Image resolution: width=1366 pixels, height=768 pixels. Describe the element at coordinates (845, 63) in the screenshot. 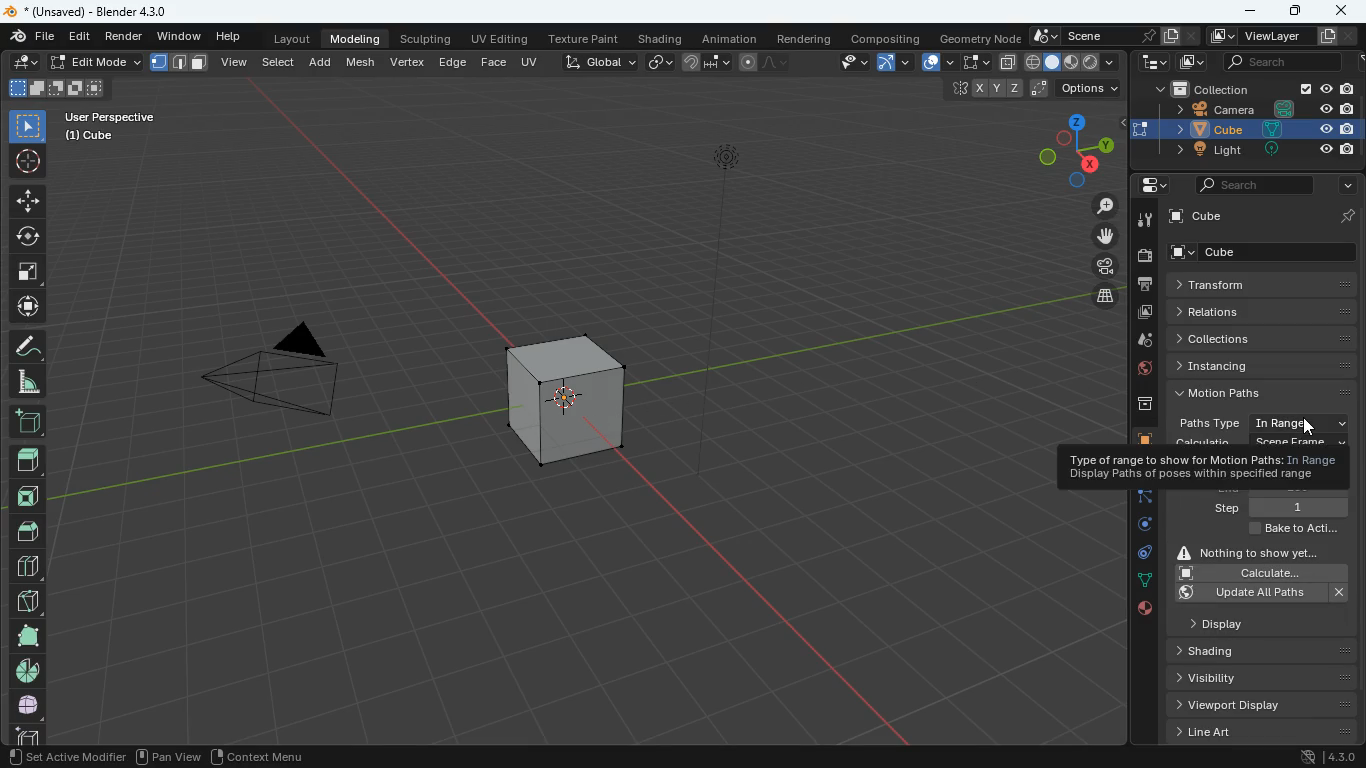

I see `view` at that location.